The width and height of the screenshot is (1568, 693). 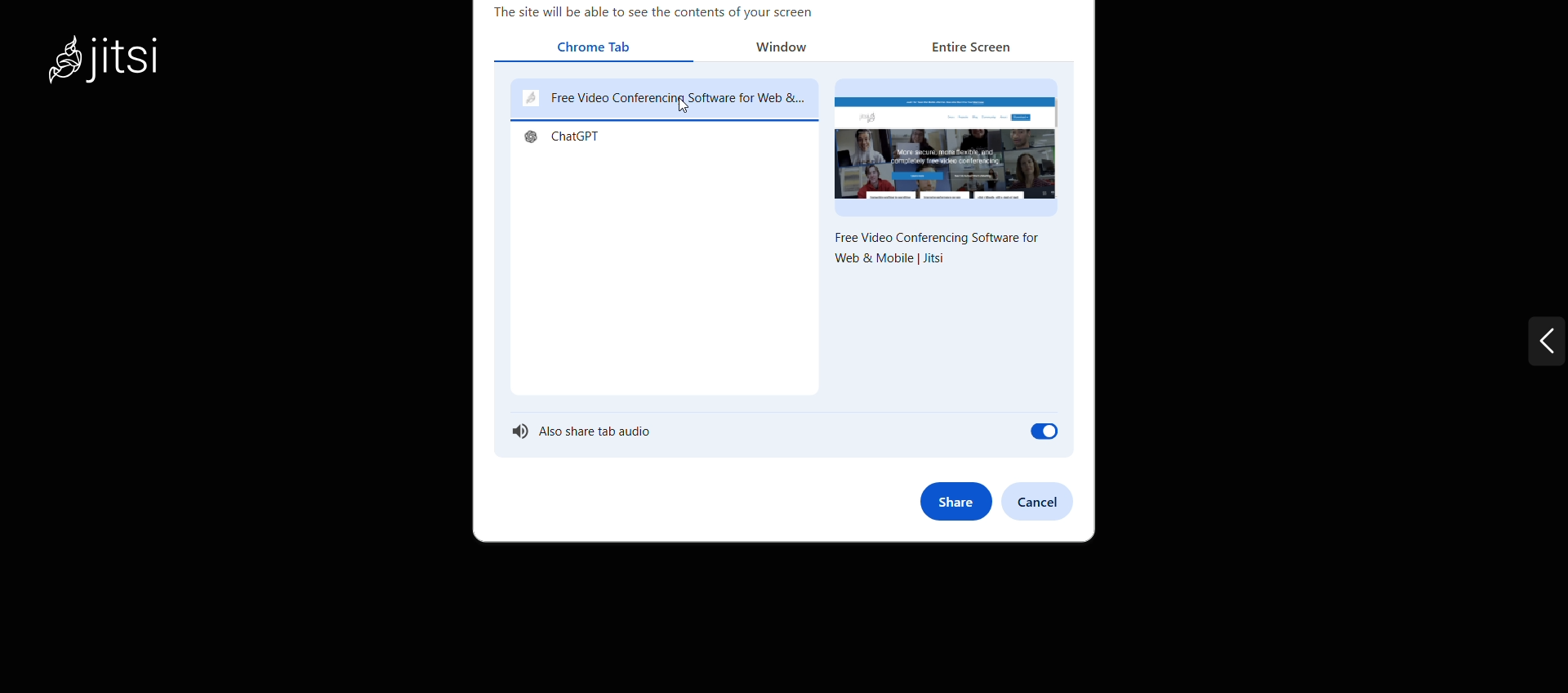 What do you see at coordinates (567, 140) in the screenshot?
I see `chatgpt` at bounding box center [567, 140].